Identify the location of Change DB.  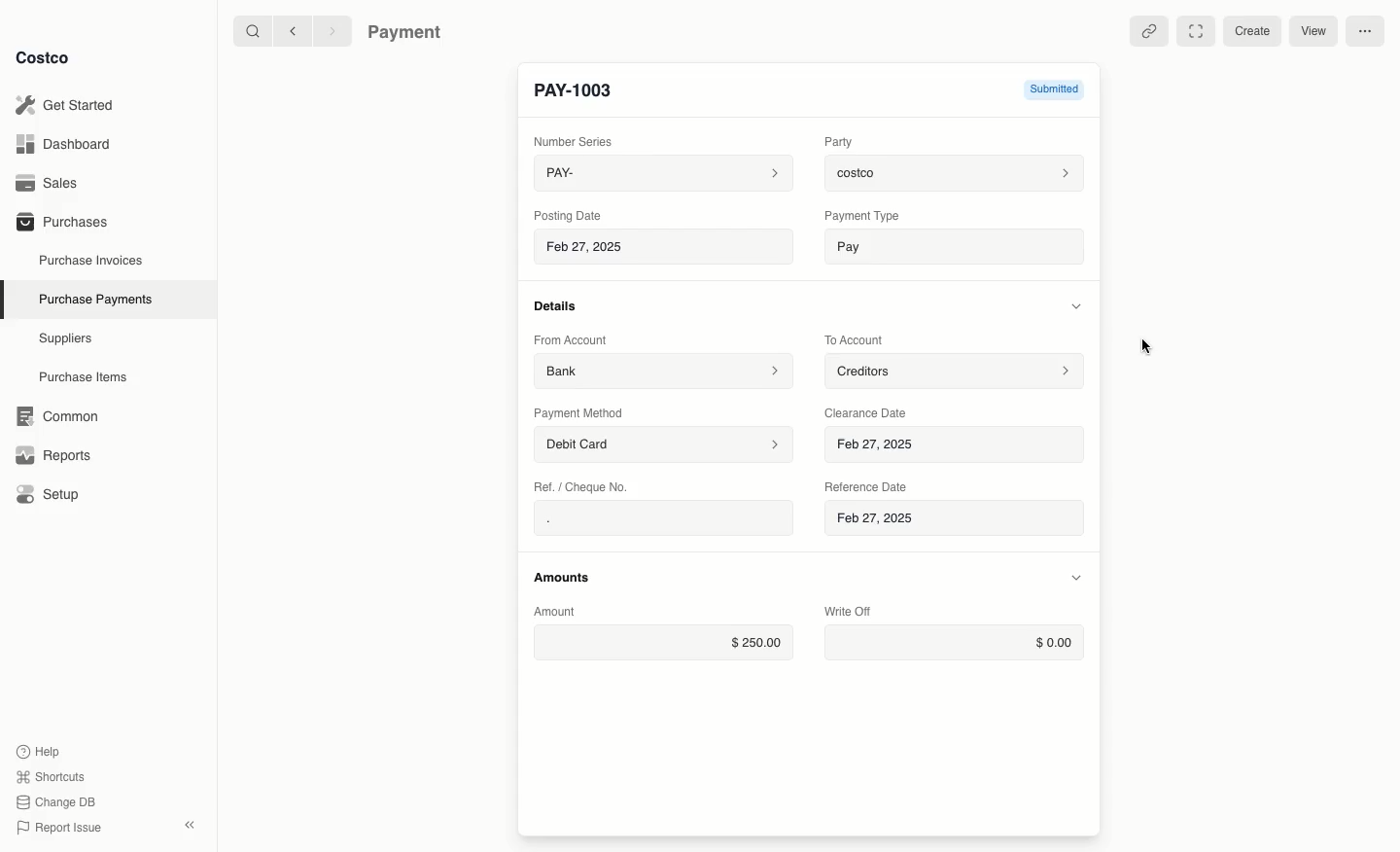
(59, 802).